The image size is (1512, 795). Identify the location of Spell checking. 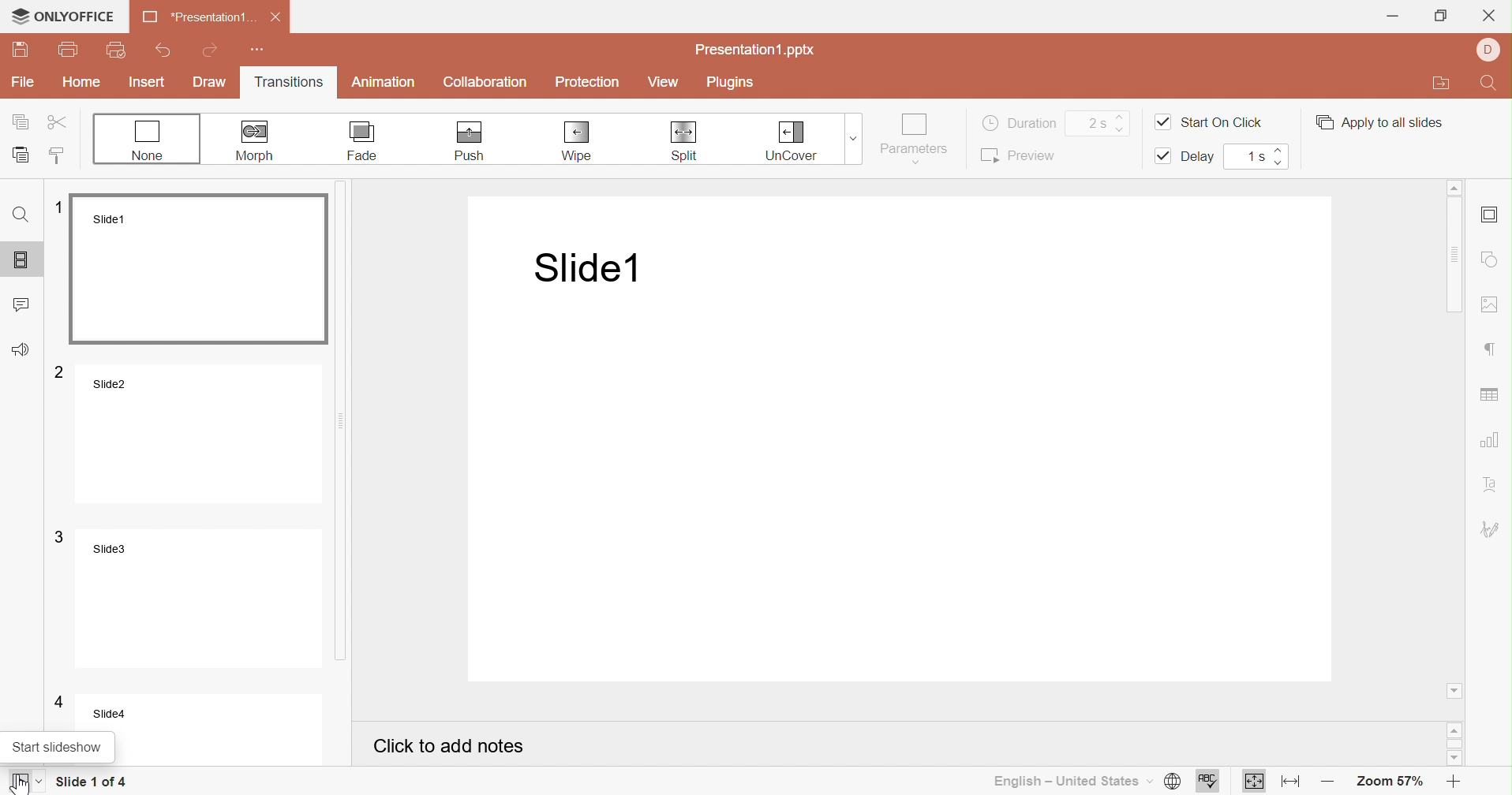
(1208, 782).